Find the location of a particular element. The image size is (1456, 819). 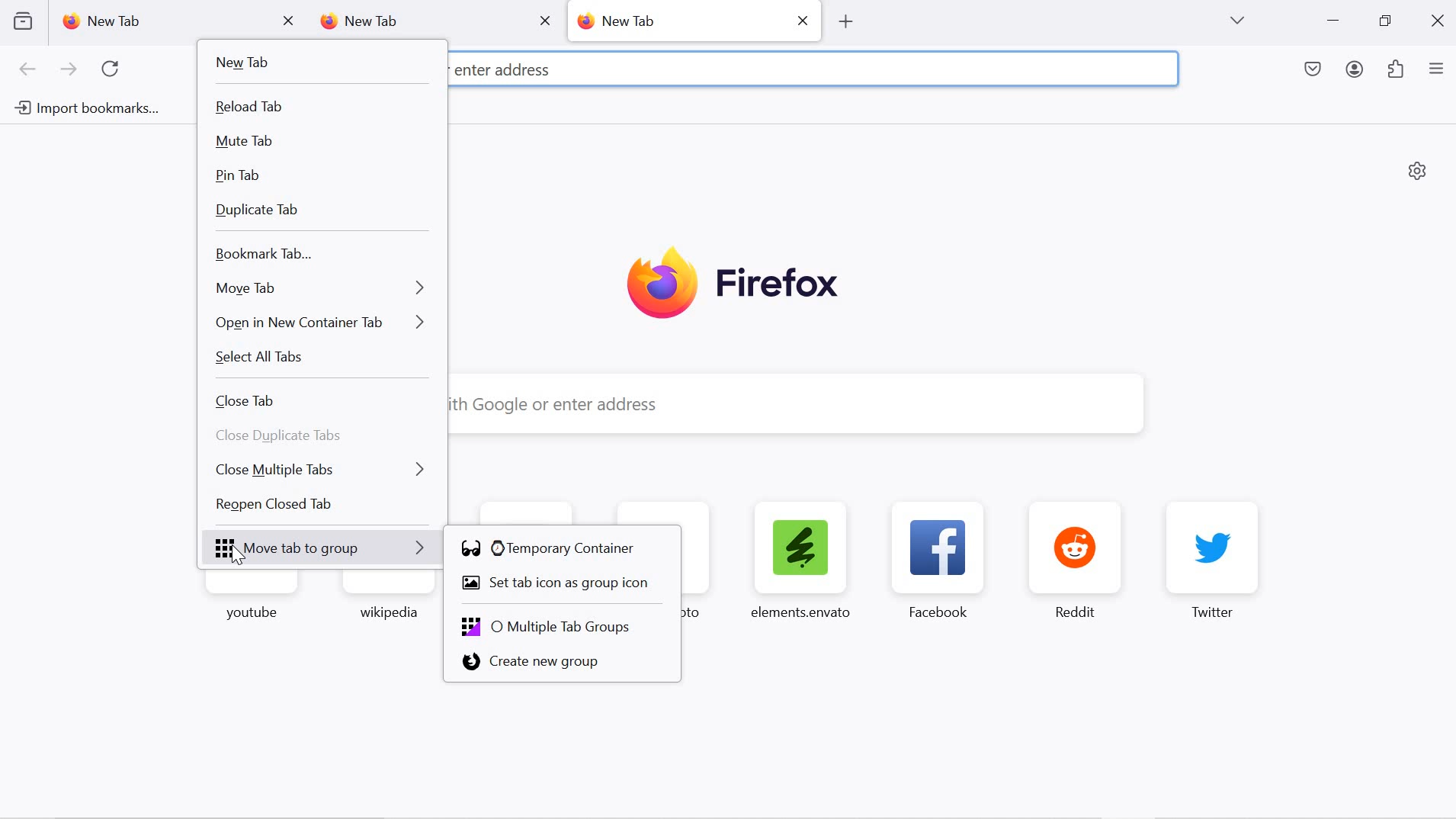

bookmark tab is located at coordinates (319, 255).